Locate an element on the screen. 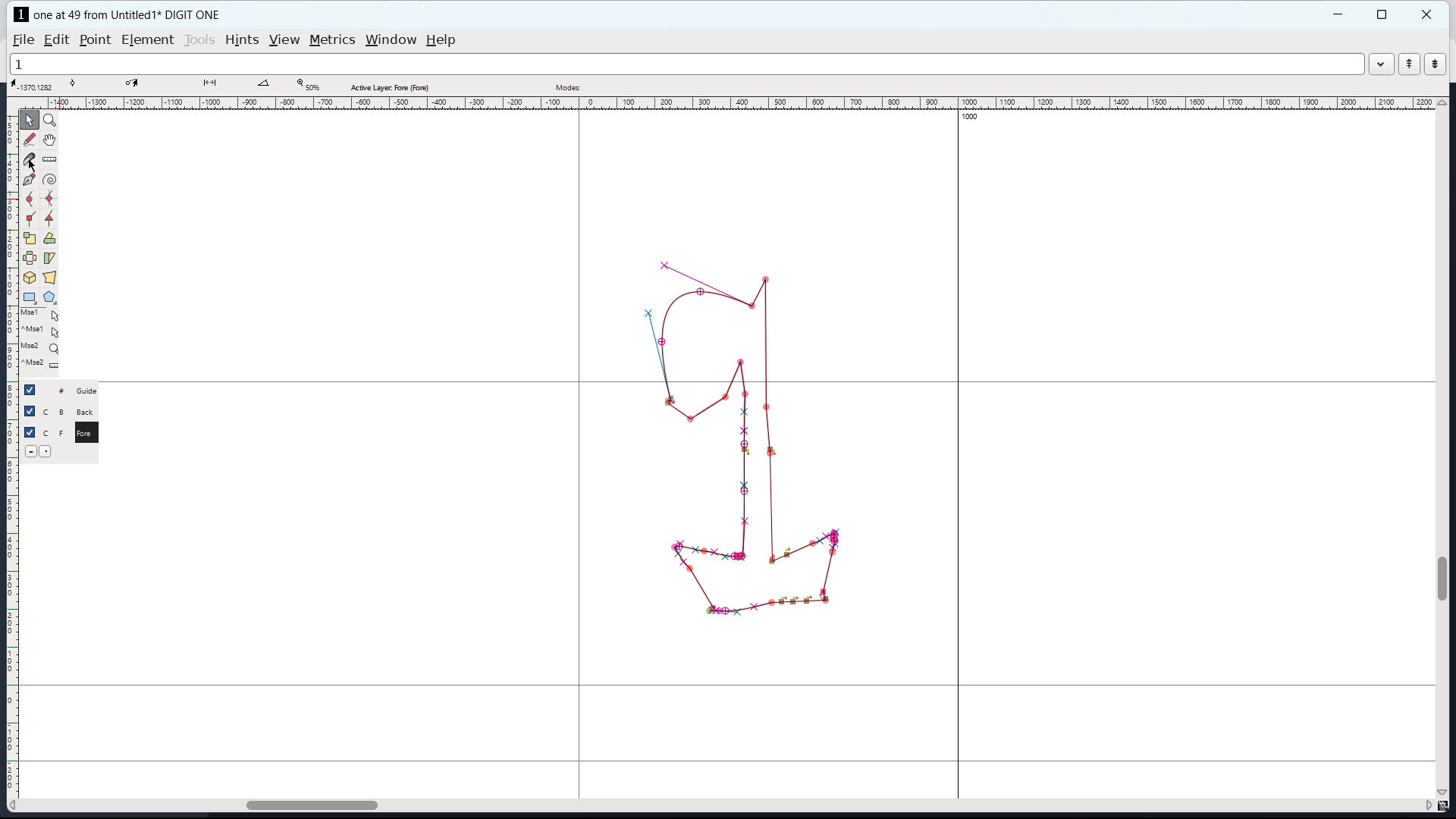 The height and width of the screenshot is (819, 1456). mse2 is located at coordinates (44, 345).